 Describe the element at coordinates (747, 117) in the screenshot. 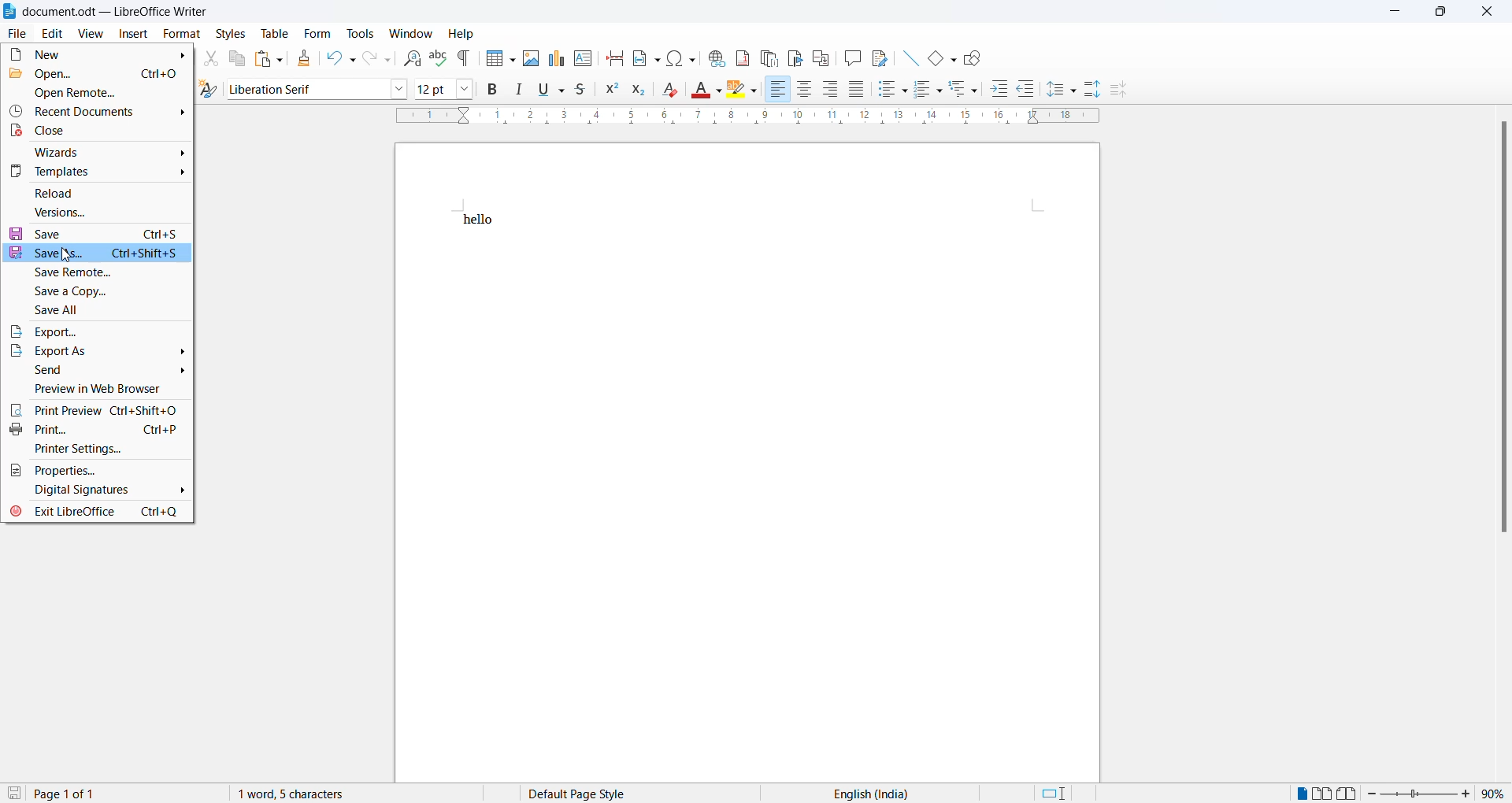

I see `ruler` at that location.